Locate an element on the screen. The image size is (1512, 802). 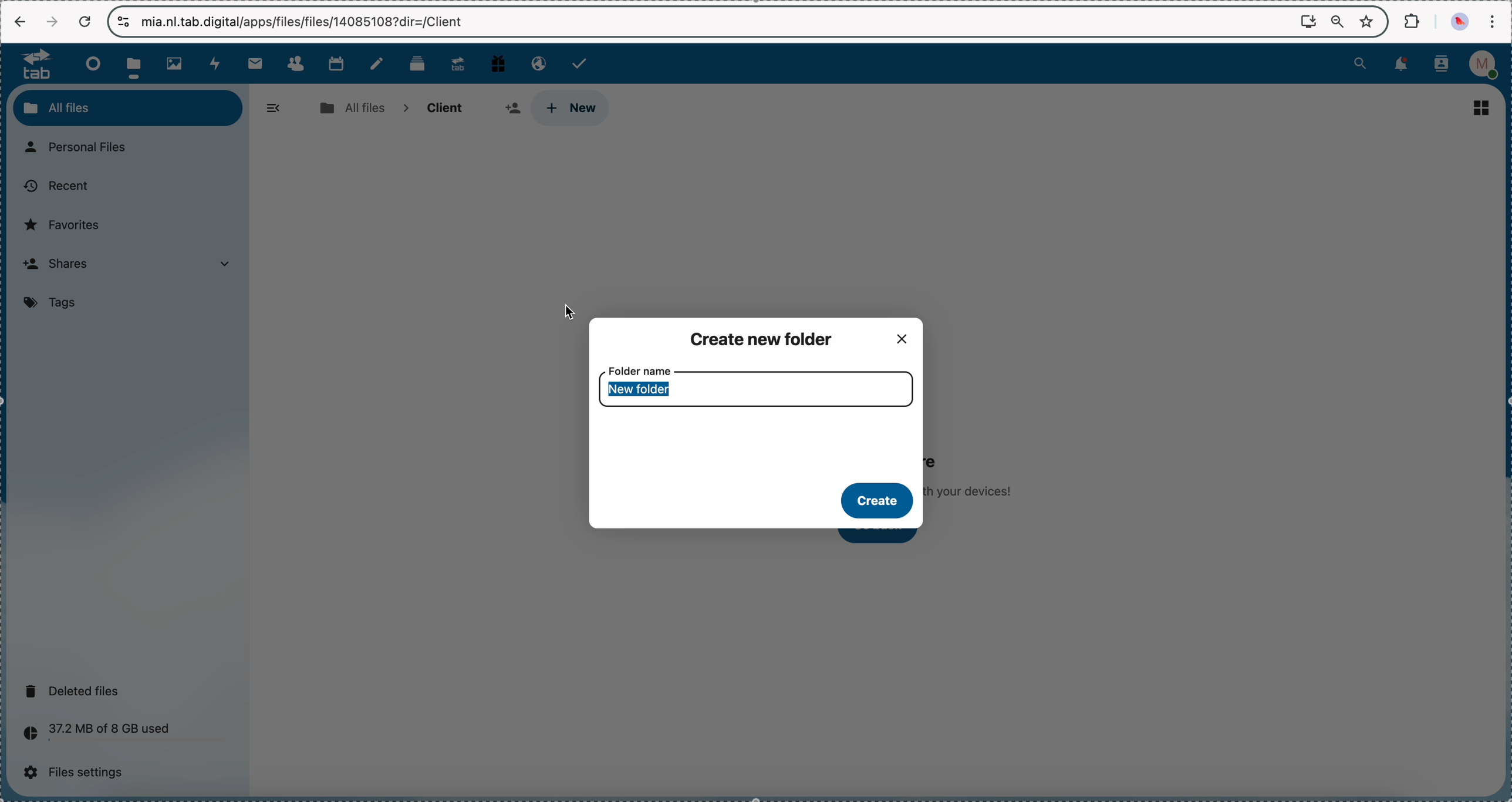
create new folder is located at coordinates (765, 338).